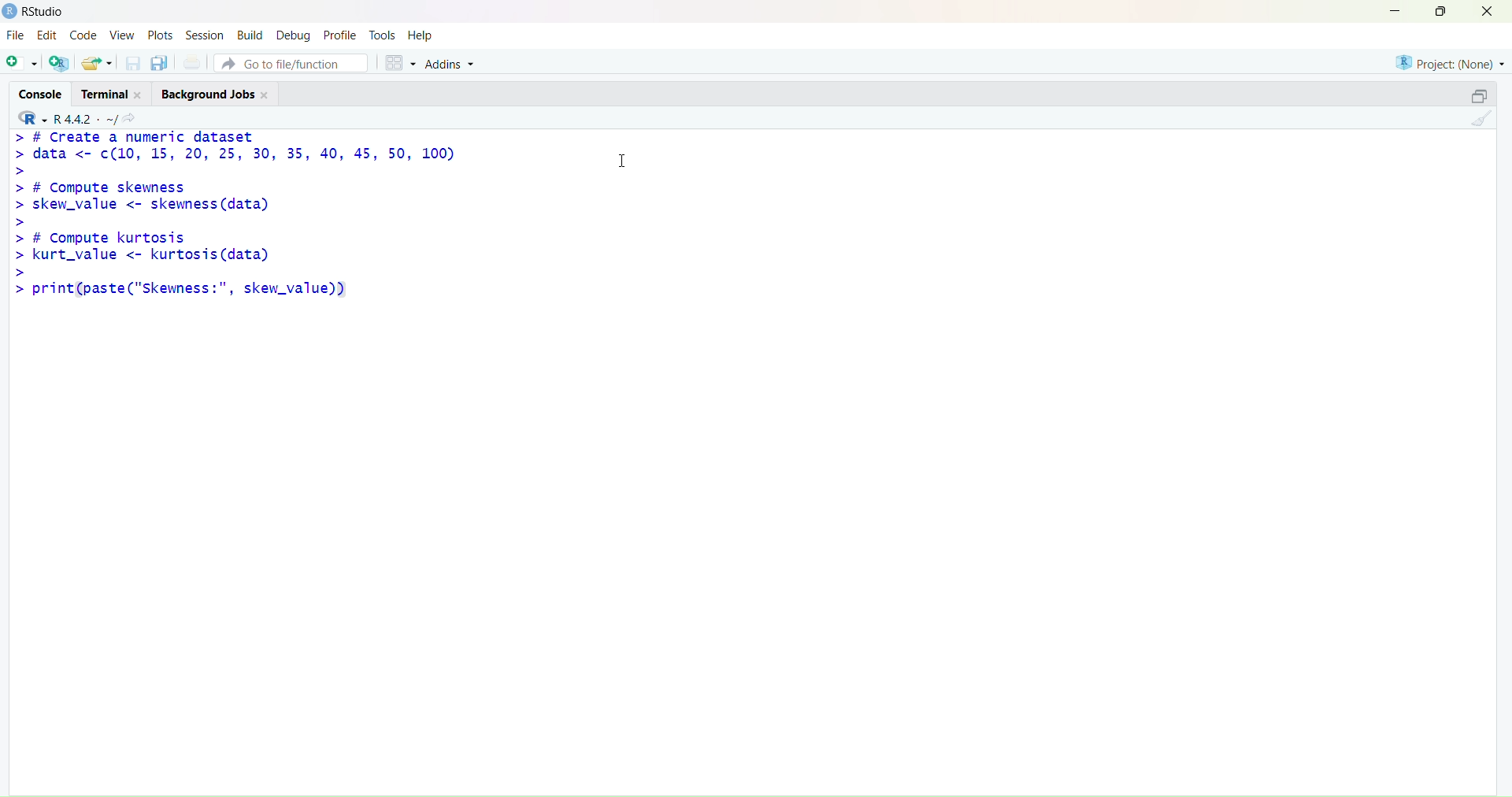 This screenshot has width=1512, height=797. I want to click on Addins, so click(455, 63).